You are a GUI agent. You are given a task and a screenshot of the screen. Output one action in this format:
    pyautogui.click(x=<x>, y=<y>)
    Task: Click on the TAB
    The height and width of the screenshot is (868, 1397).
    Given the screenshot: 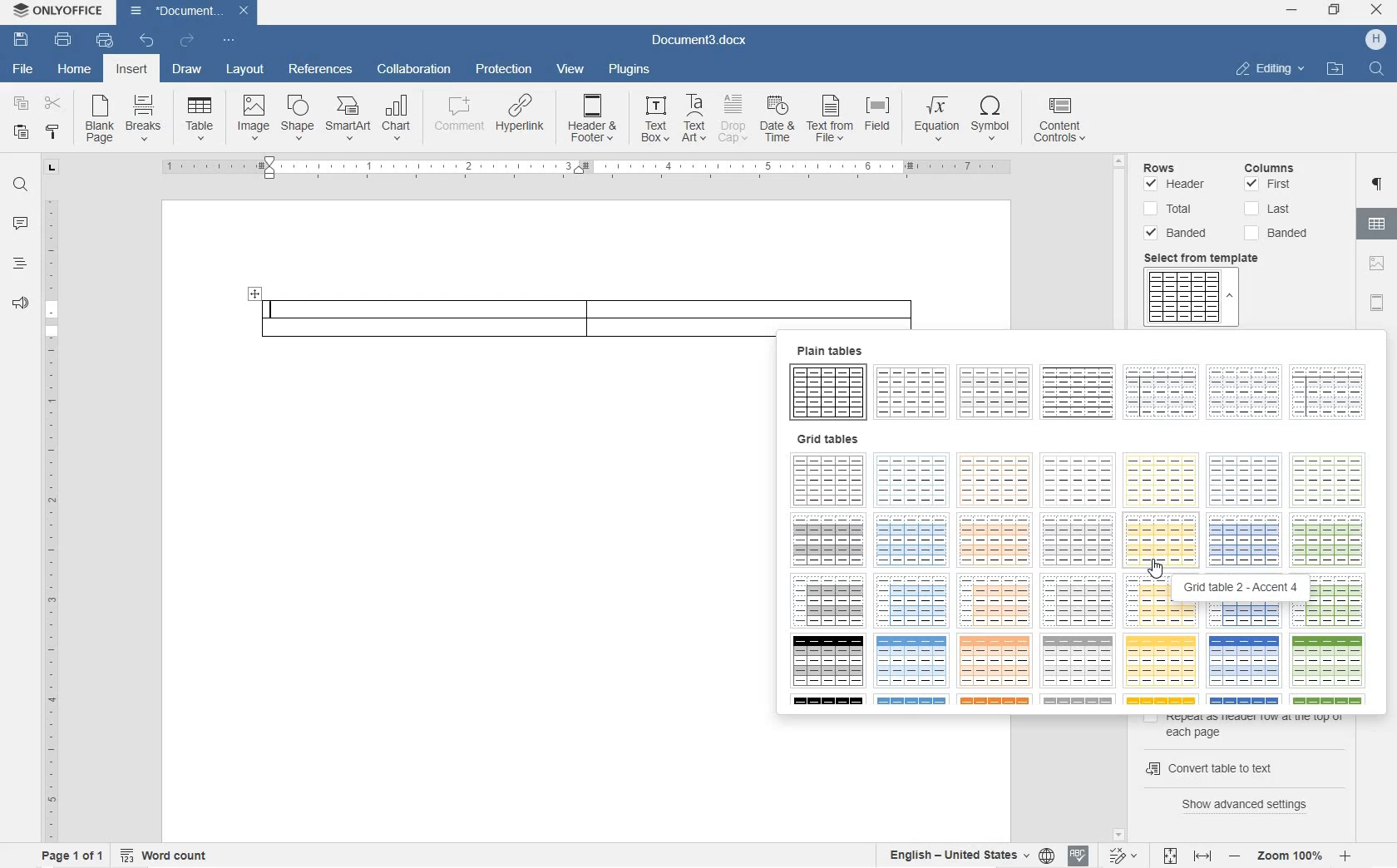 What is the action you would take?
    pyautogui.click(x=52, y=167)
    